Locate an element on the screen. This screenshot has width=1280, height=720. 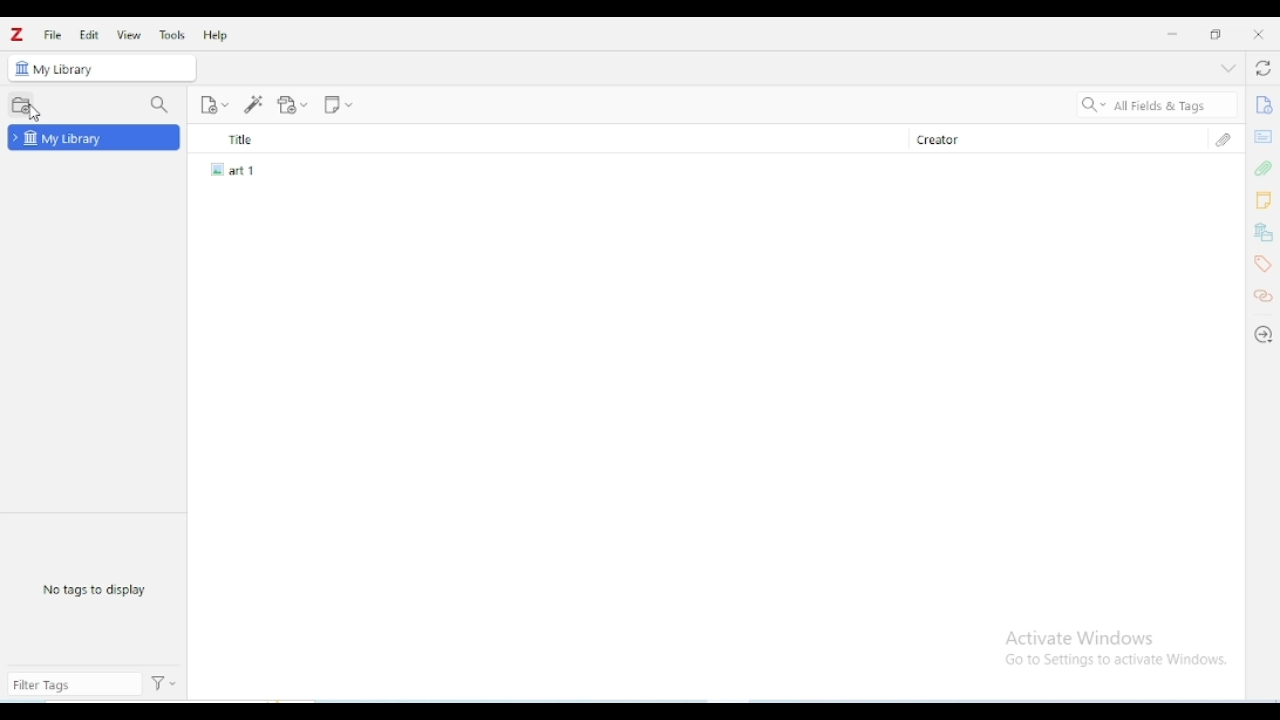
attachments is located at coordinates (1262, 168).